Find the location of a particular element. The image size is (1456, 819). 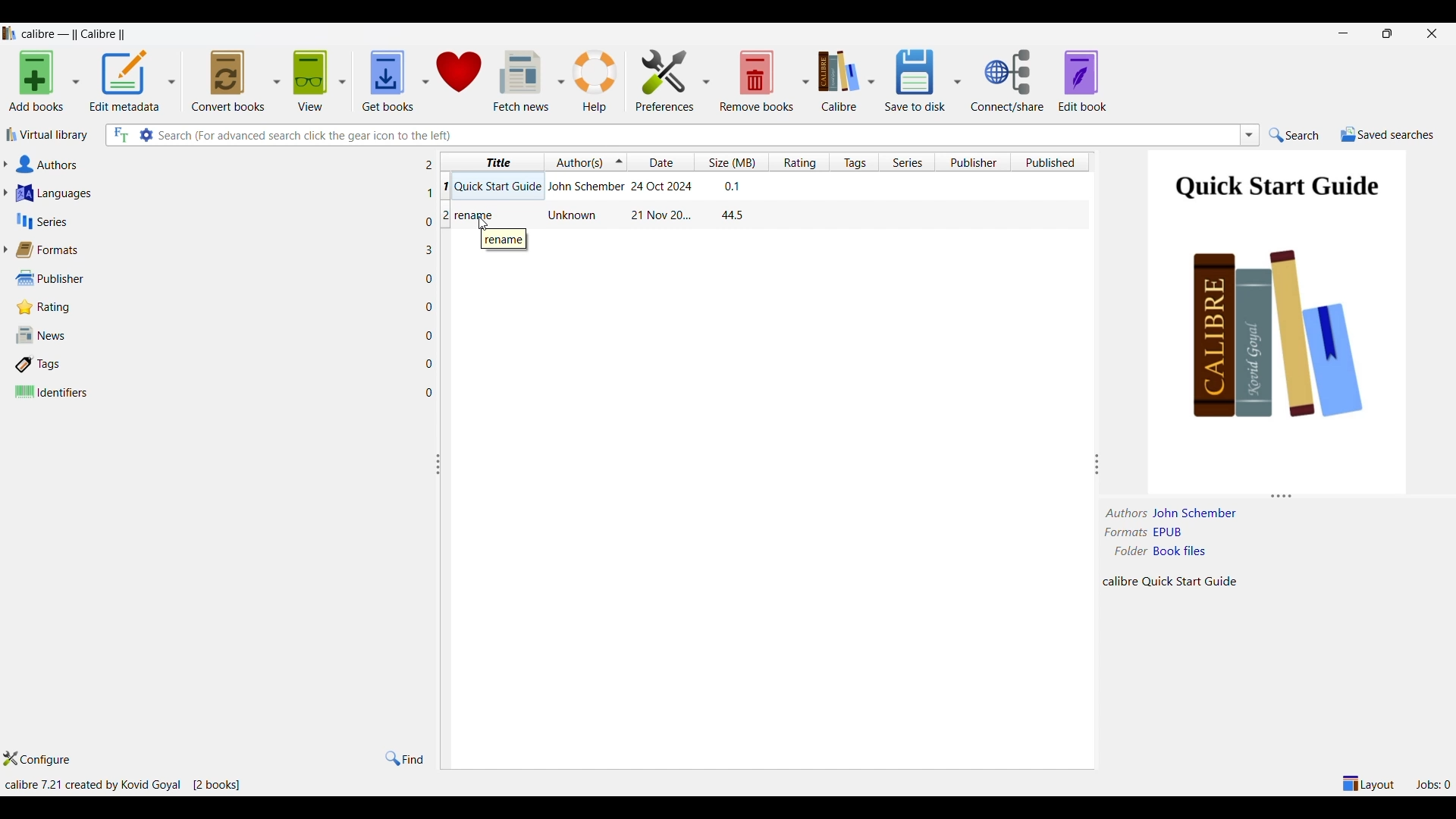

Type in search is located at coordinates (698, 136).